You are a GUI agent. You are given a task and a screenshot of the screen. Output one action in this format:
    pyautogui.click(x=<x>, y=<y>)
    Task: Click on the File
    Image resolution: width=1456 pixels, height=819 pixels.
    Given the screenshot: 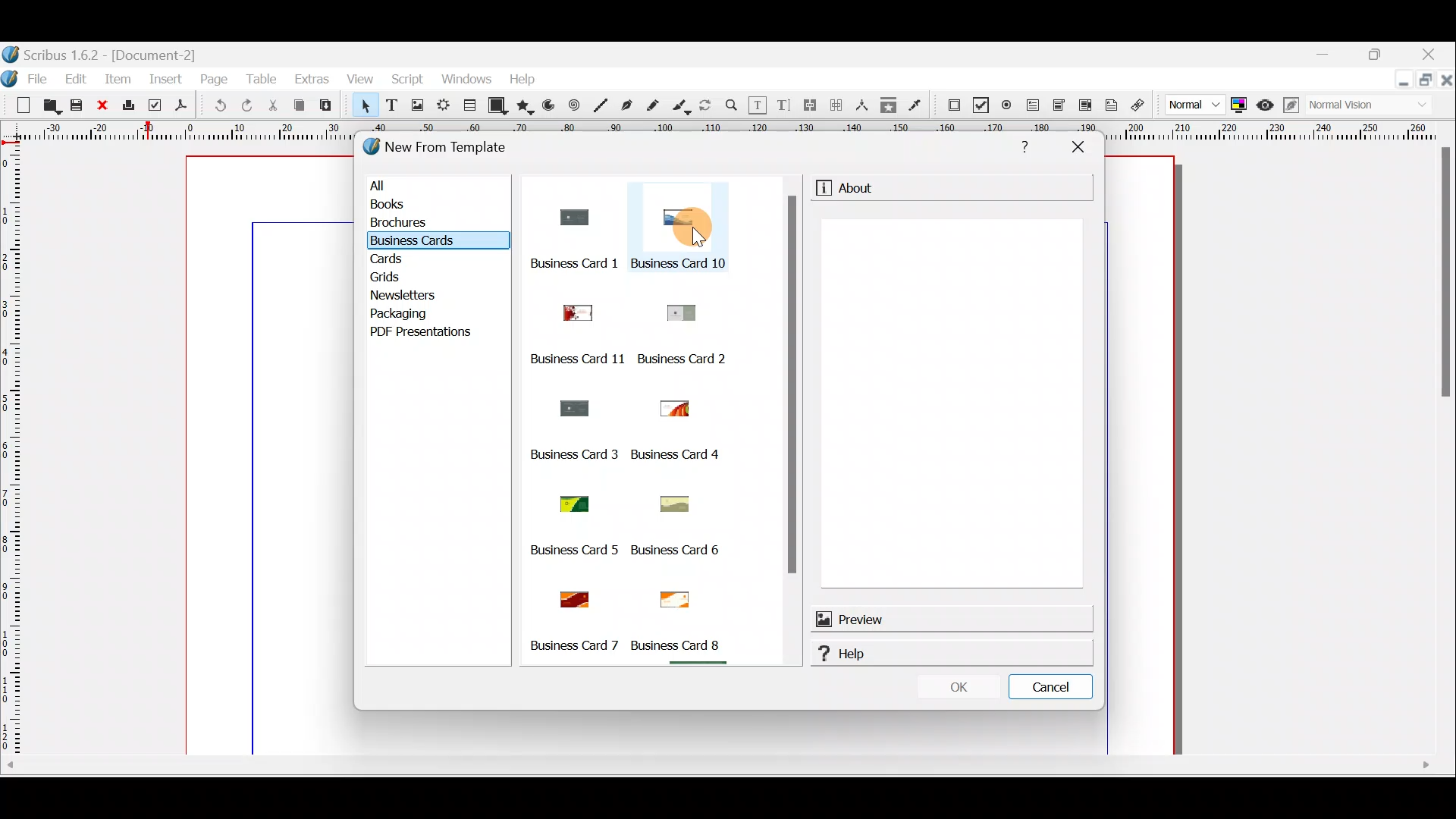 What is the action you would take?
    pyautogui.click(x=27, y=77)
    